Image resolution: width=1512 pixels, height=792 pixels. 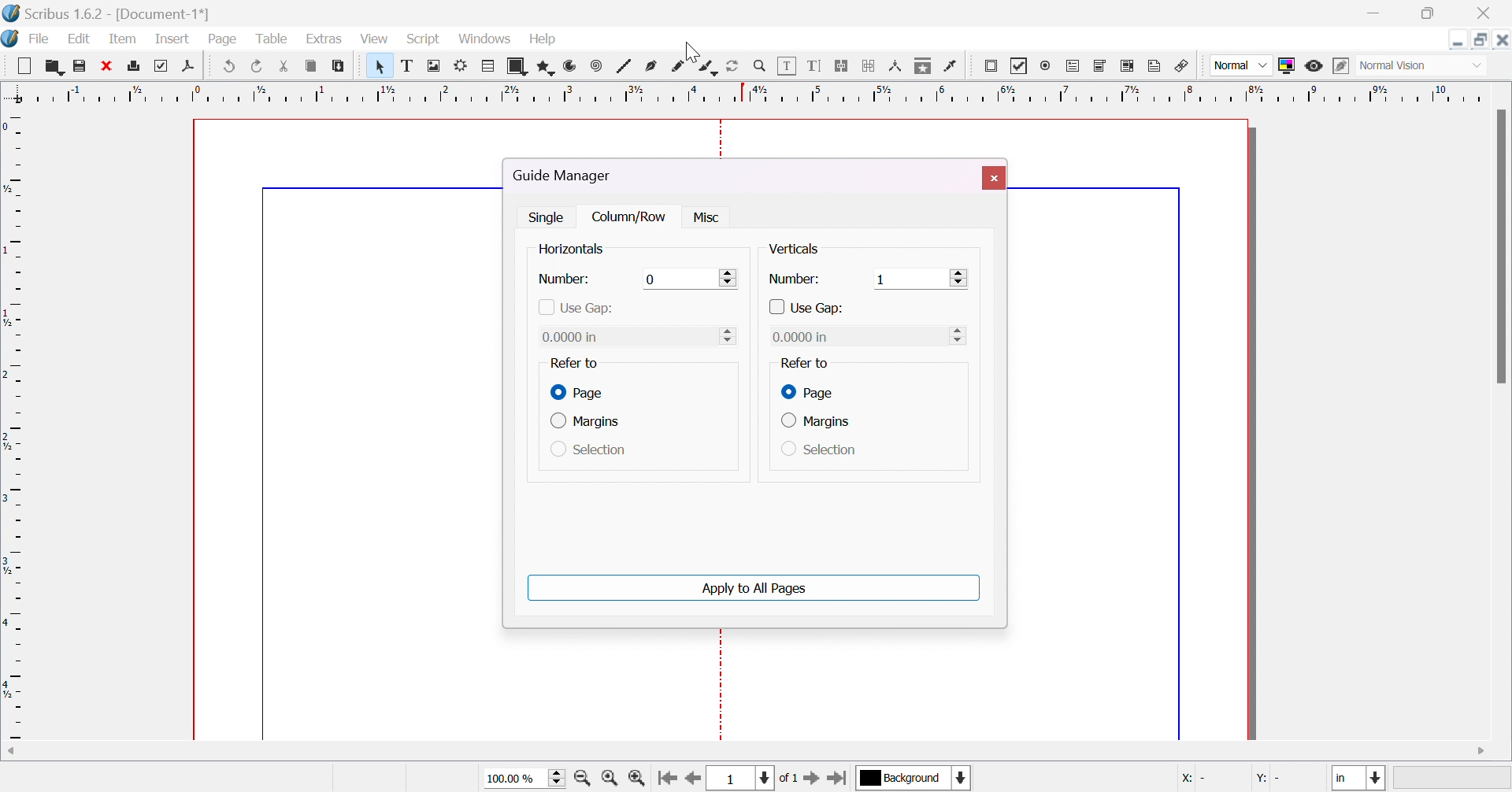 What do you see at coordinates (1236, 780) in the screenshot?
I see `coordinates` at bounding box center [1236, 780].